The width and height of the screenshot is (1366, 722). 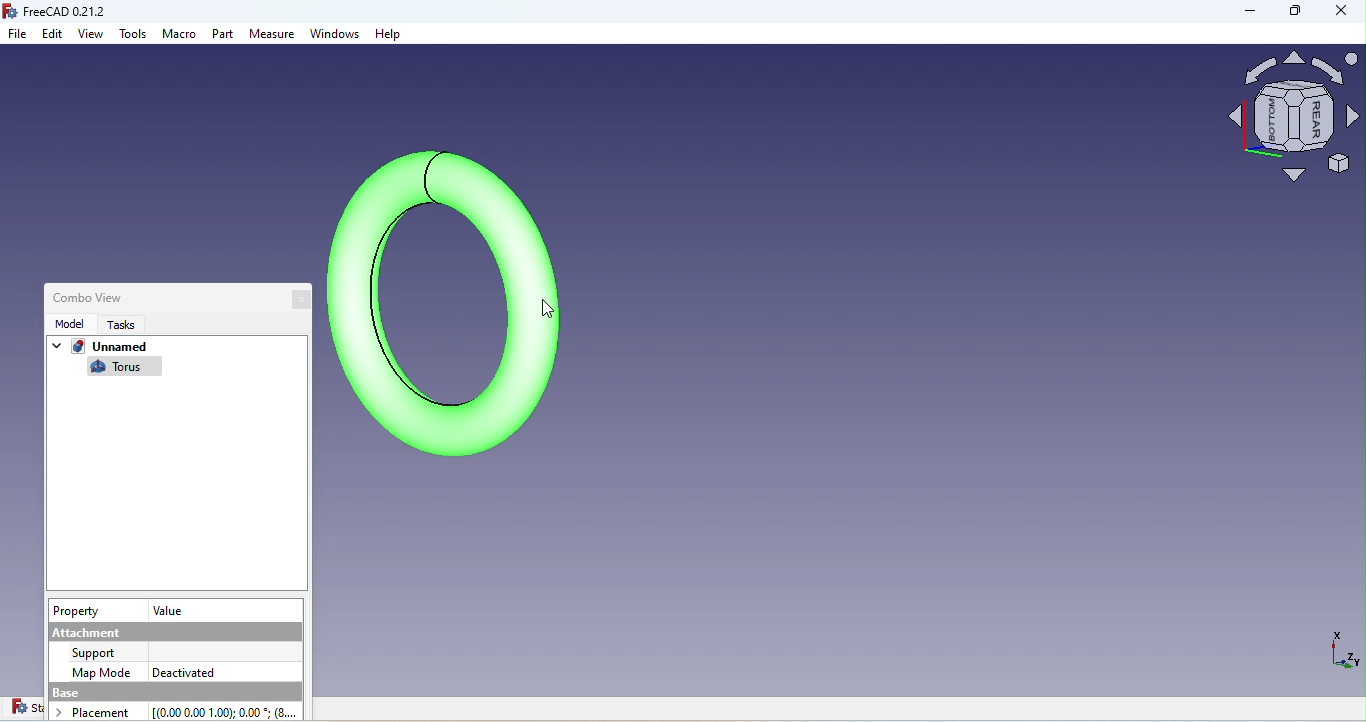 What do you see at coordinates (83, 296) in the screenshot?
I see `Combo view` at bounding box center [83, 296].